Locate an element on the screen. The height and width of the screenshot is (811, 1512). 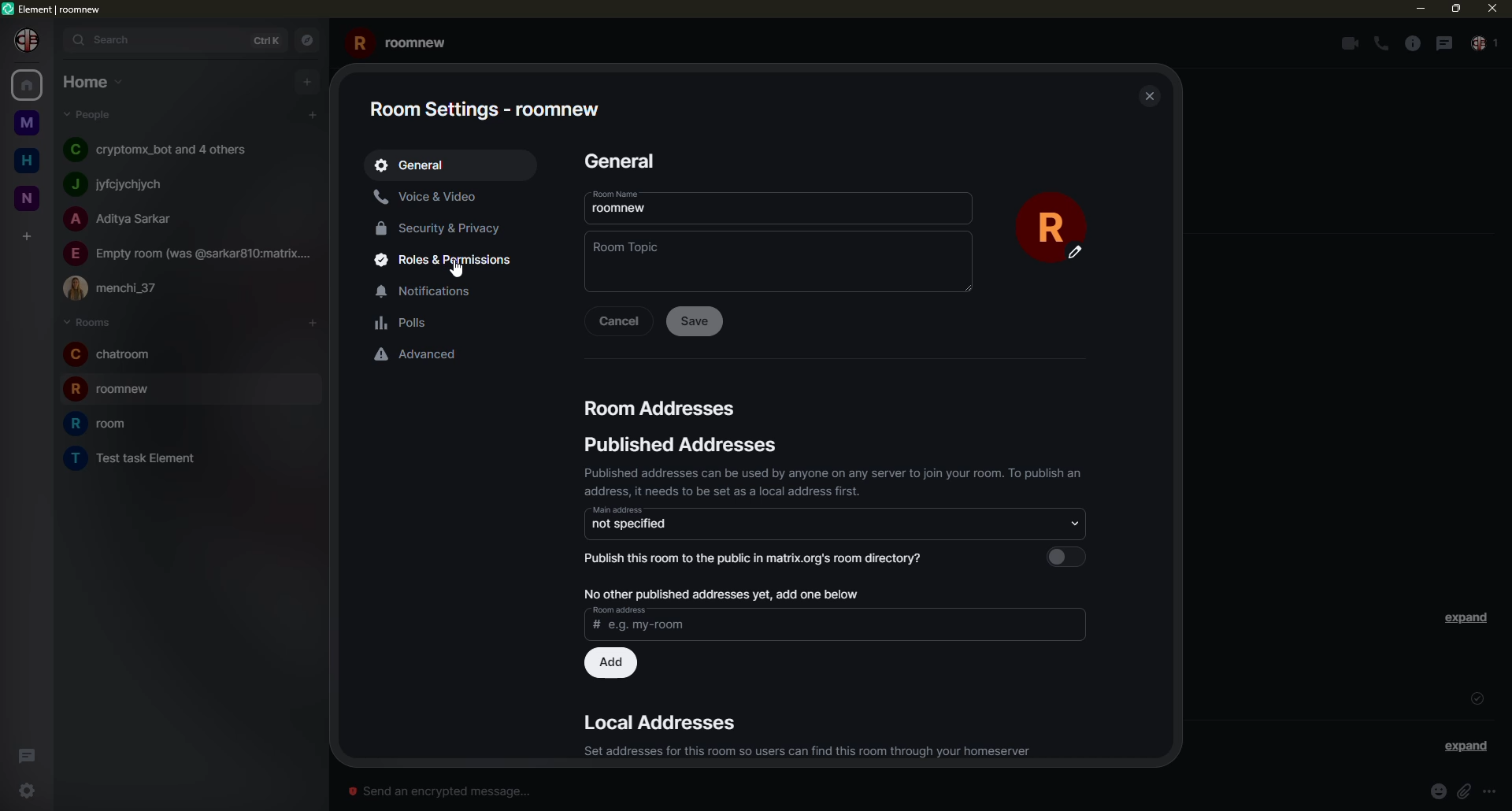
people is located at coordinates (1485, 45).